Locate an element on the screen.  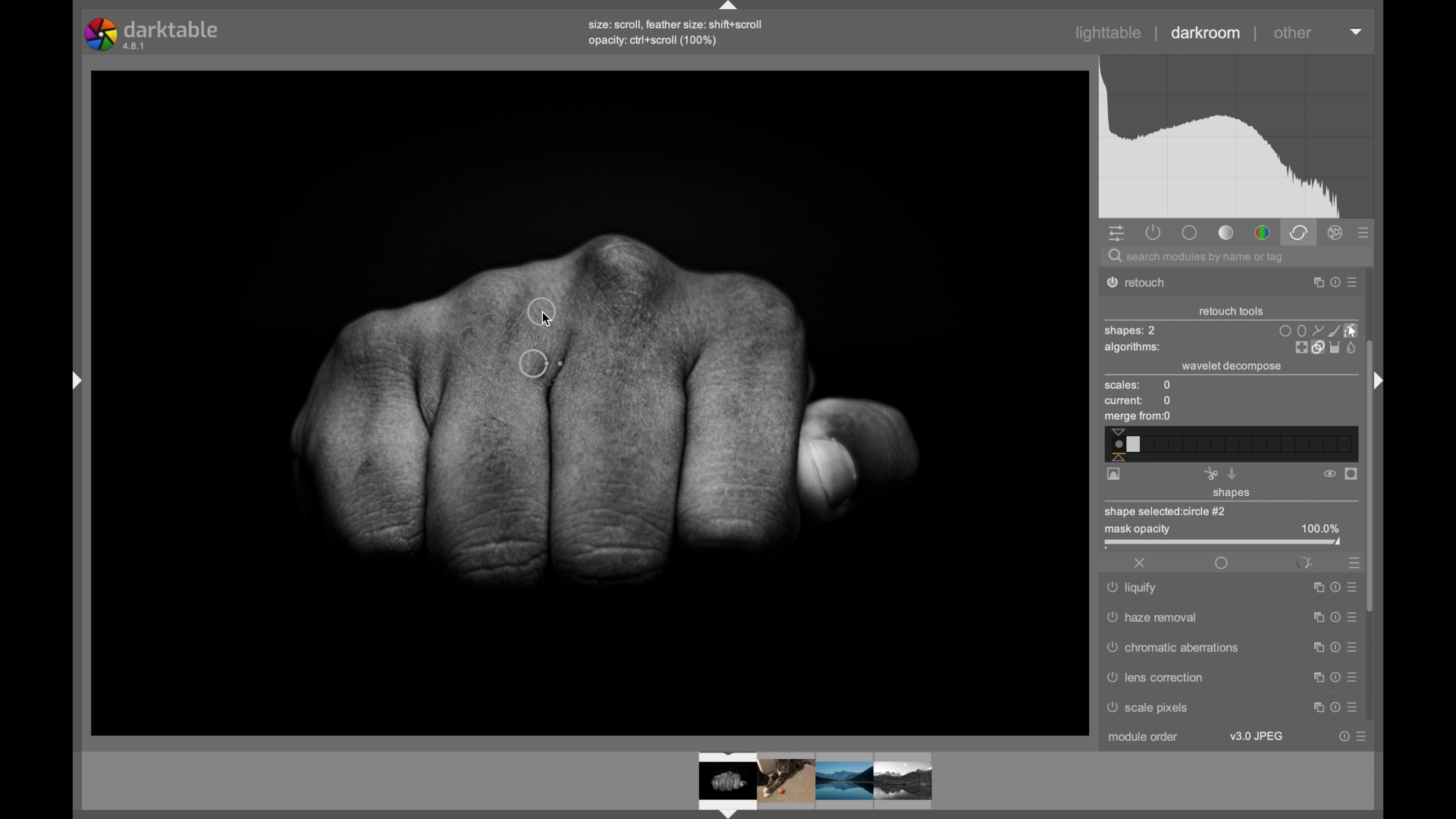
size: scroll, feather size: shift+scroll opacity: ctrl+scroll (100%) is located at coordinates (679, 33).